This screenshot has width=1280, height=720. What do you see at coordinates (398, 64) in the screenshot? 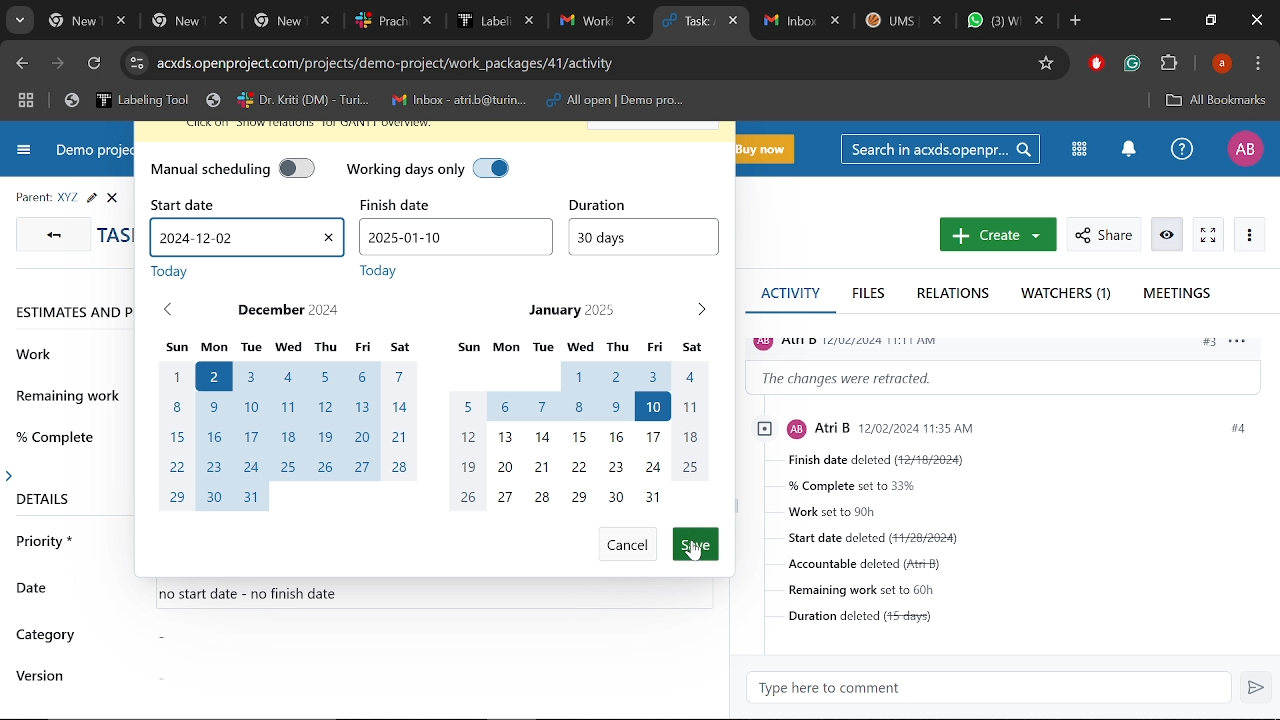
I see `Cite address` at bounding box center [398, 64].